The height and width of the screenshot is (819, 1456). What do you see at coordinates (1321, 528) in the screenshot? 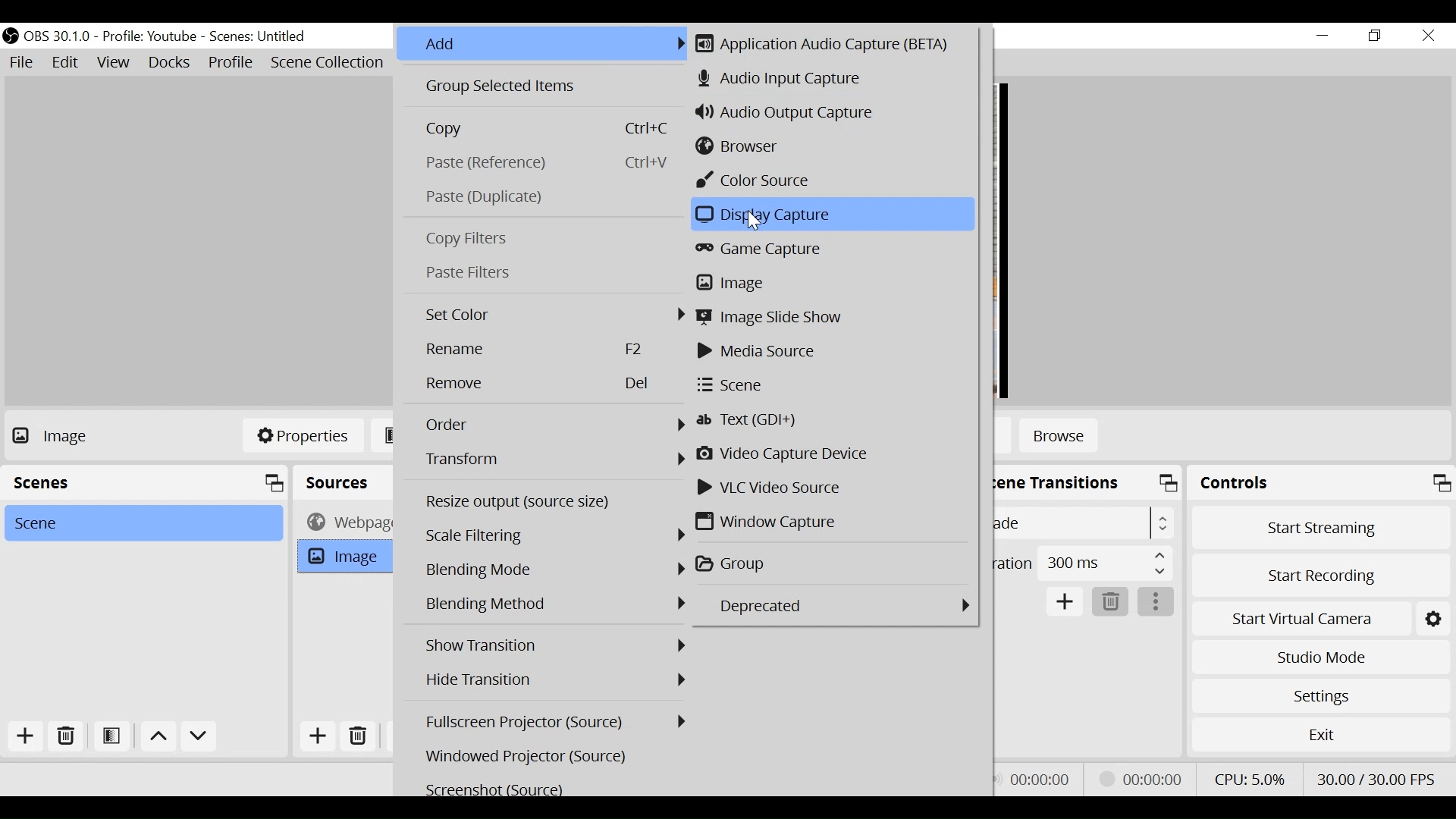
I see `Start Streaming` at bounding box center [1321, 528].